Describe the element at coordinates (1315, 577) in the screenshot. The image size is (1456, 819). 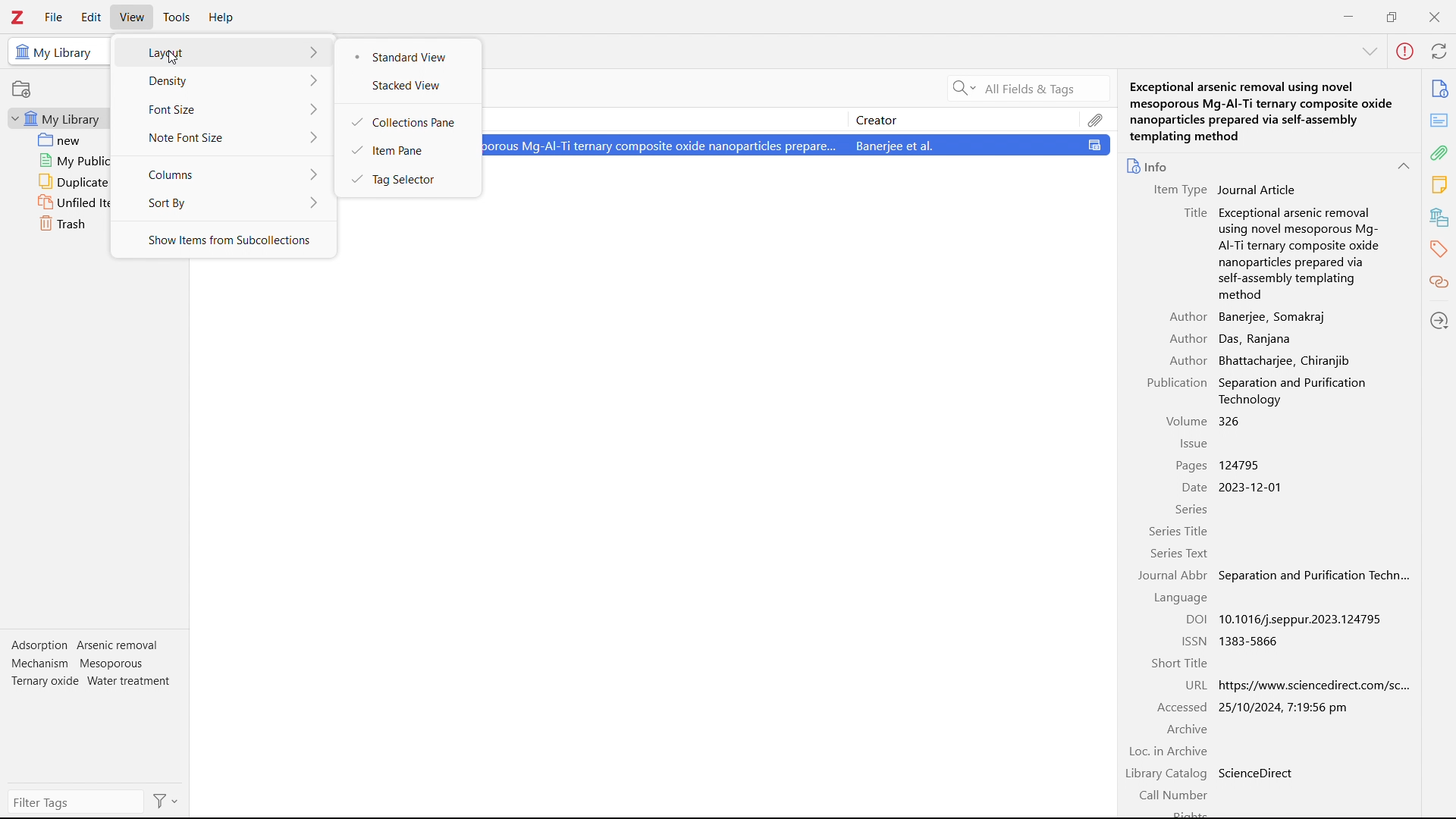
I see `Separation and Purification Techn...` at that location.